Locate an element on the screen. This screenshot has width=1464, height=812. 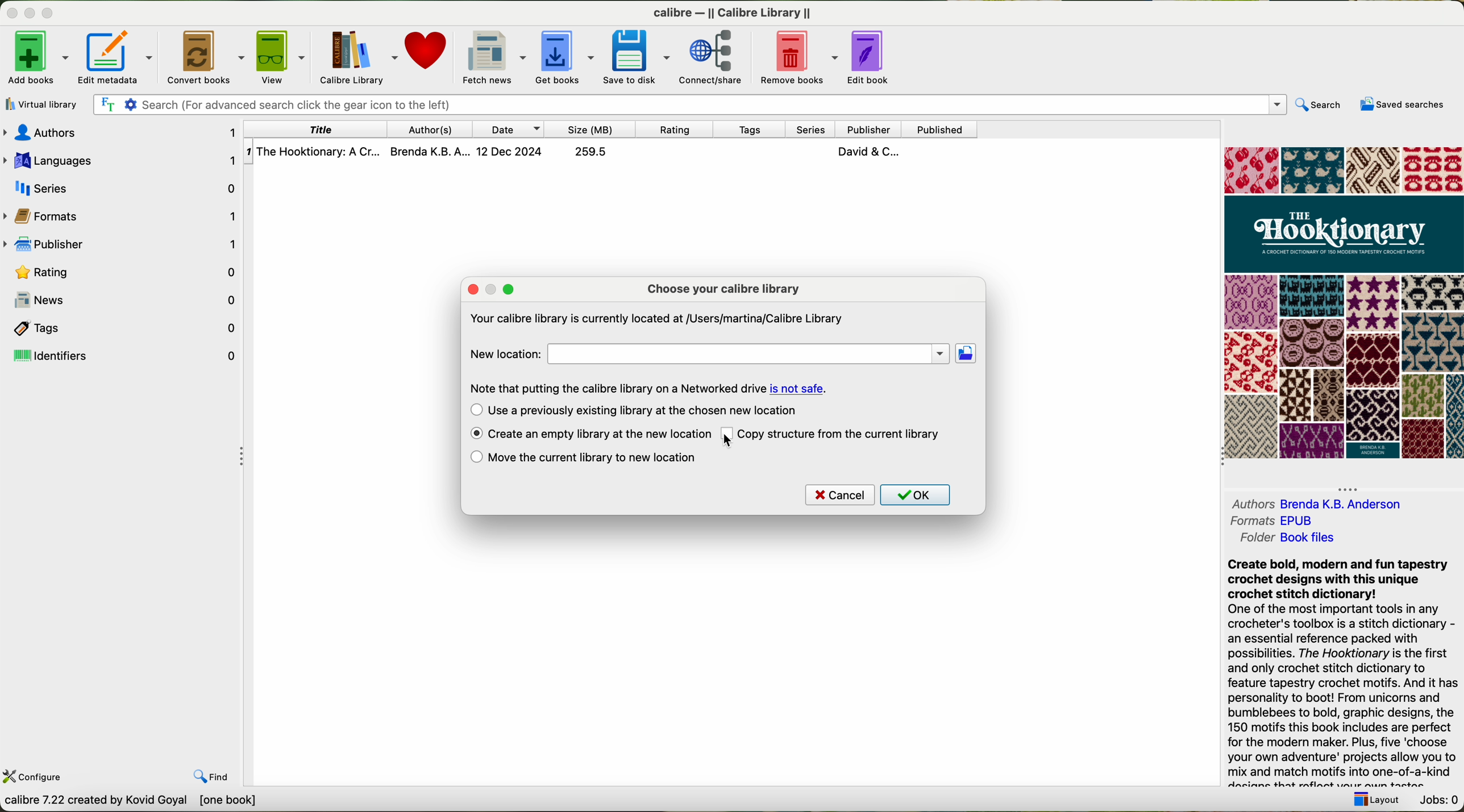
search bar is located at coordinates (716, 104).